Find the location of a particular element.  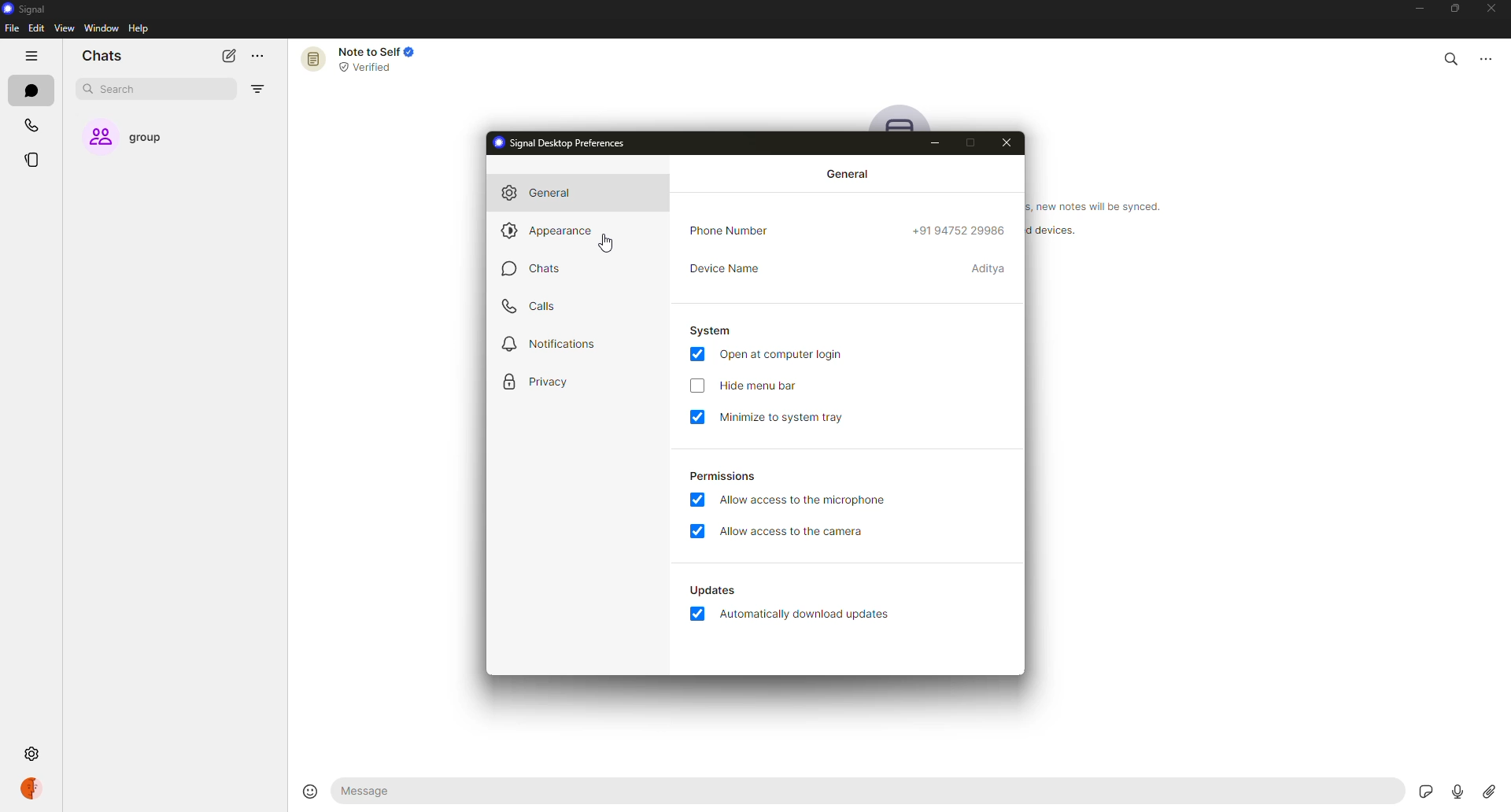

view is located at coordinates (64, 28).